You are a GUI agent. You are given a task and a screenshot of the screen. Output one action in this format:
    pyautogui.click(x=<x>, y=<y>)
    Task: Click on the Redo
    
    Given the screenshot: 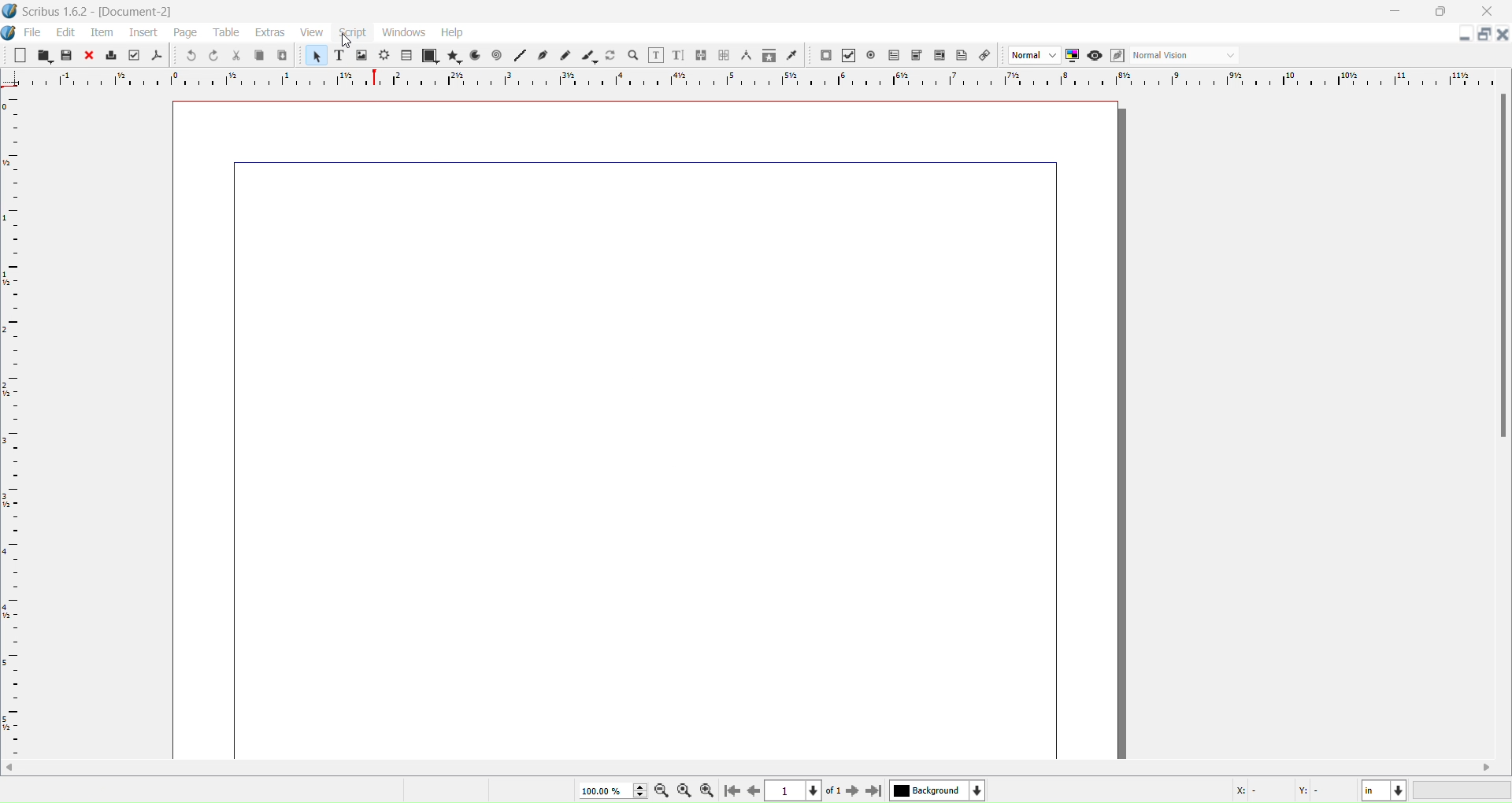 What is the action you would take?
    pyautogui.click(x=213, y=56)
    